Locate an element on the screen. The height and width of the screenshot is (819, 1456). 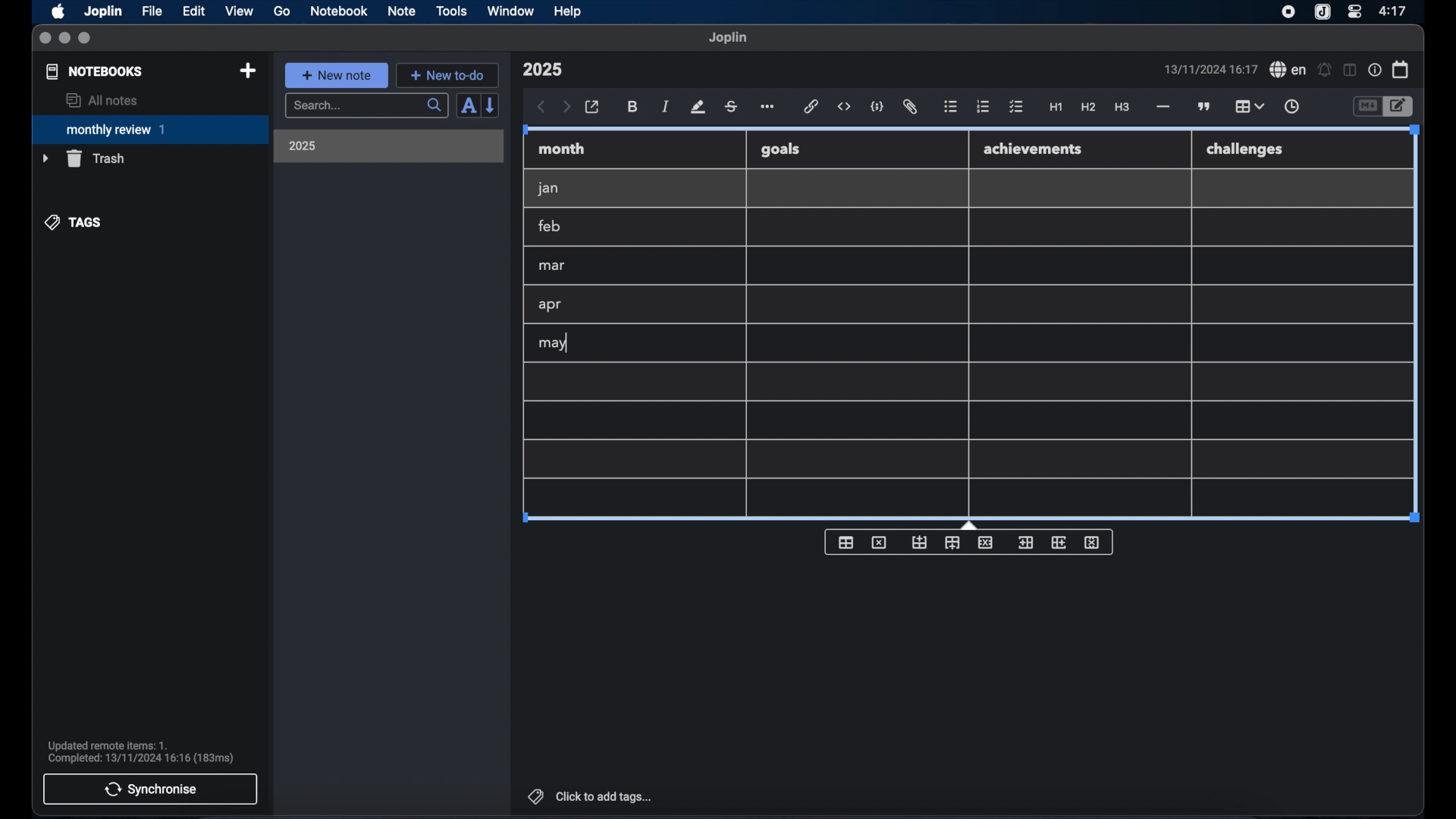
reverse sort order is located at coordinates (491, 105).